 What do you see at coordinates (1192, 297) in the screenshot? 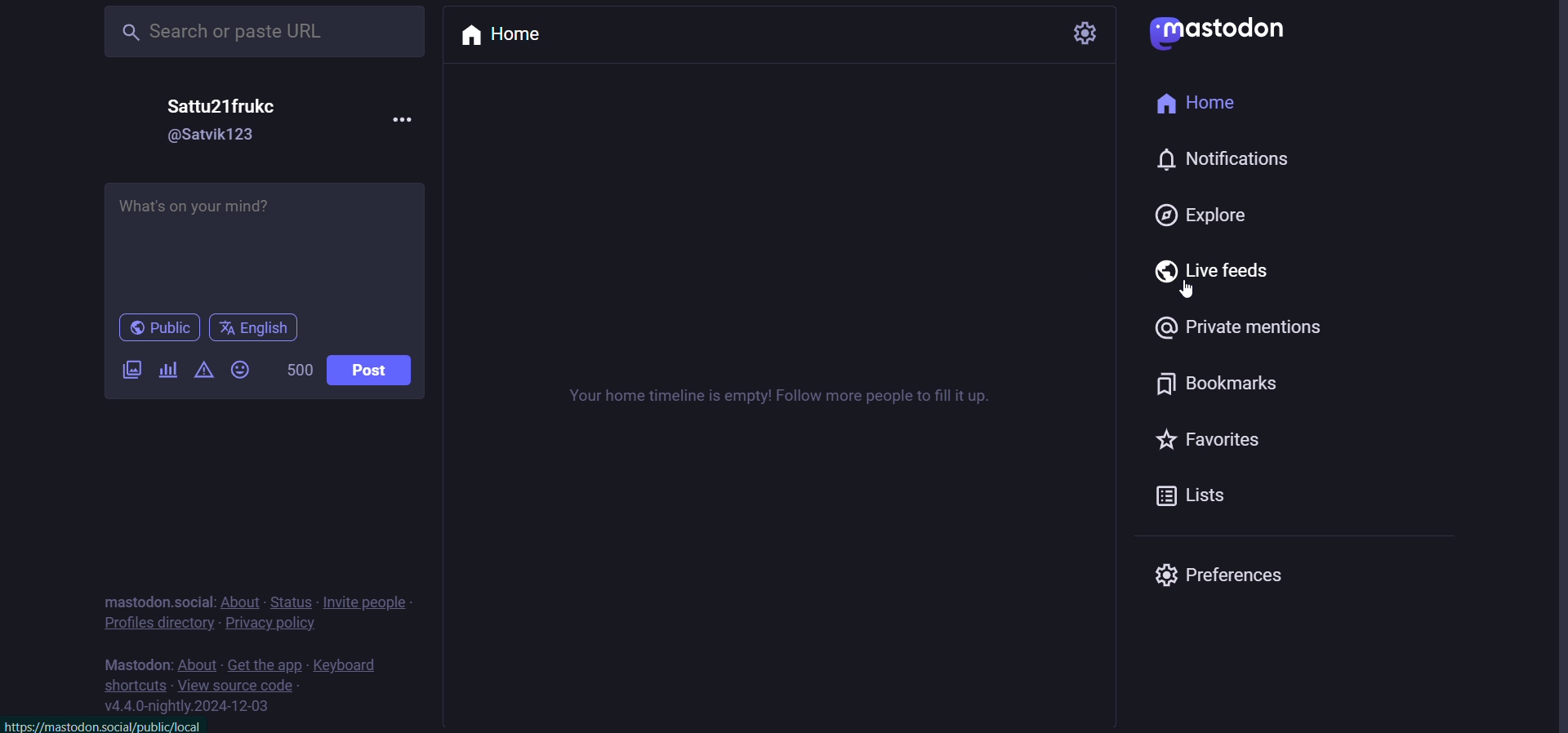
I see `cursor` at bounding box center [1192, 297].